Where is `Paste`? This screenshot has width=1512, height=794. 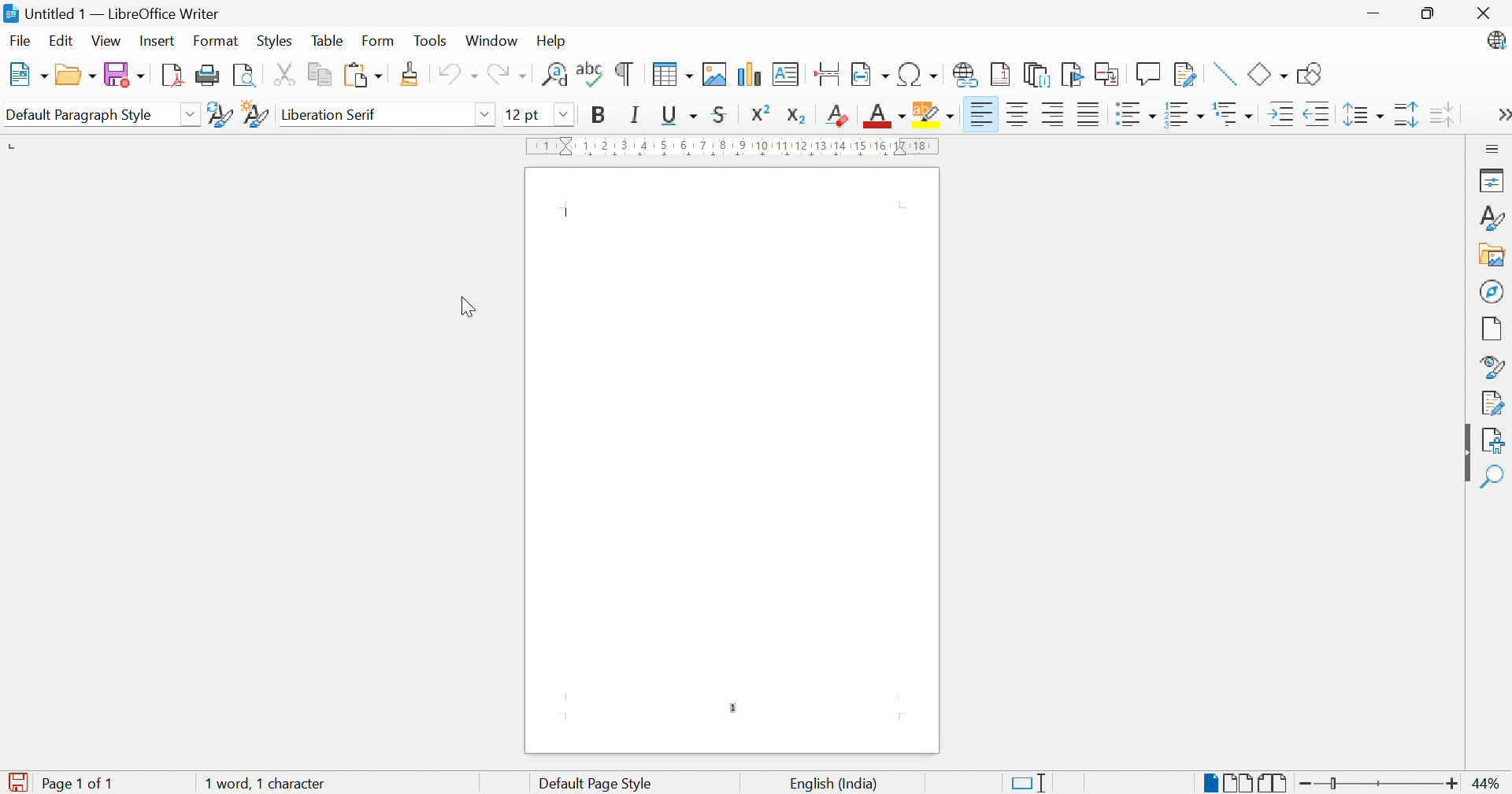
Paste is located at coordinates (367, 76).